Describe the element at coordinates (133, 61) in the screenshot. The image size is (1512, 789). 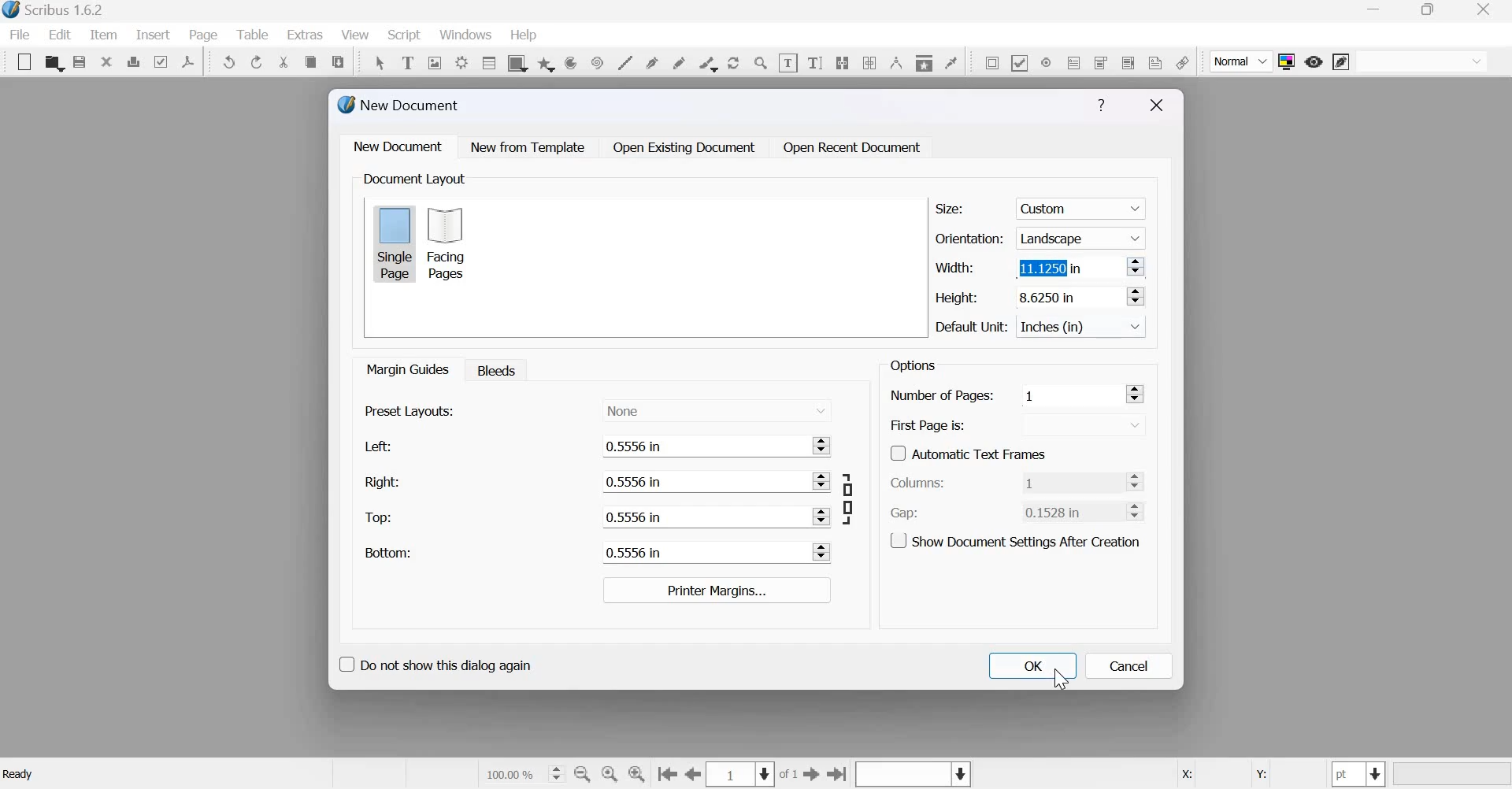
I see `print` at that location.